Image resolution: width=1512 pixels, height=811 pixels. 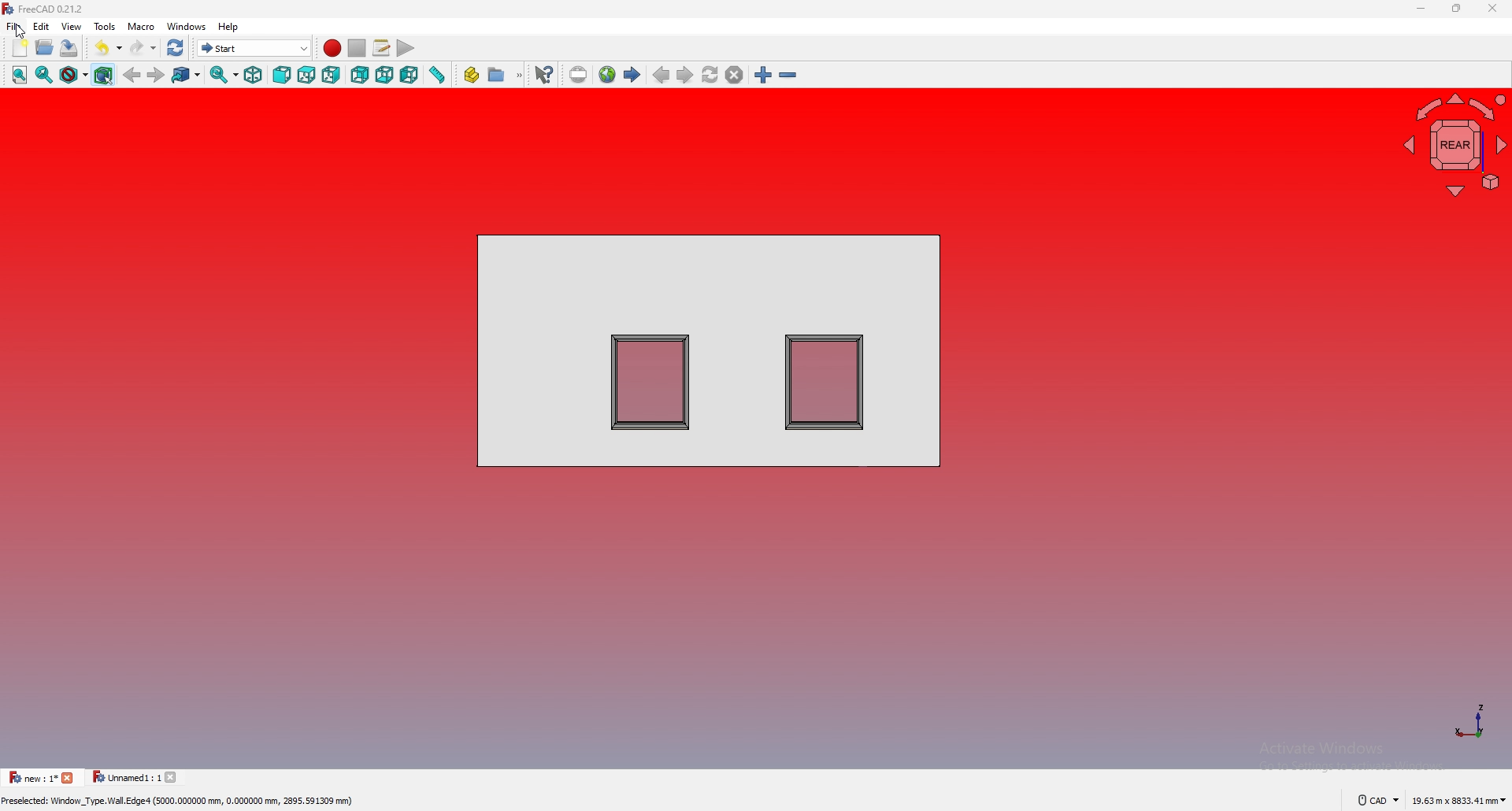 What do you see at coordinates (143, 46) in the screenshot?
I see `redo` at bounding box center [143, 46].